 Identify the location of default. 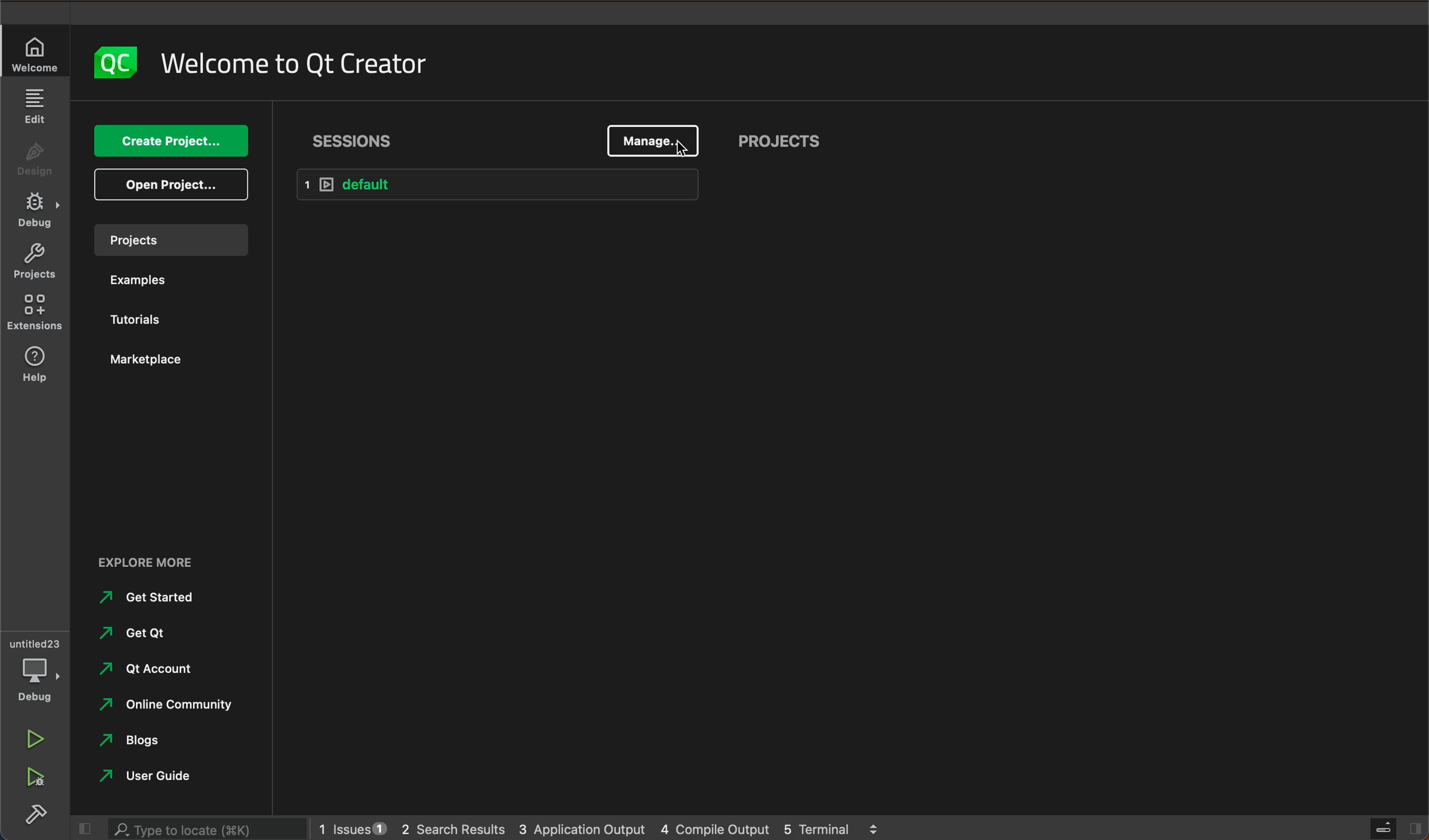
(497, 184).